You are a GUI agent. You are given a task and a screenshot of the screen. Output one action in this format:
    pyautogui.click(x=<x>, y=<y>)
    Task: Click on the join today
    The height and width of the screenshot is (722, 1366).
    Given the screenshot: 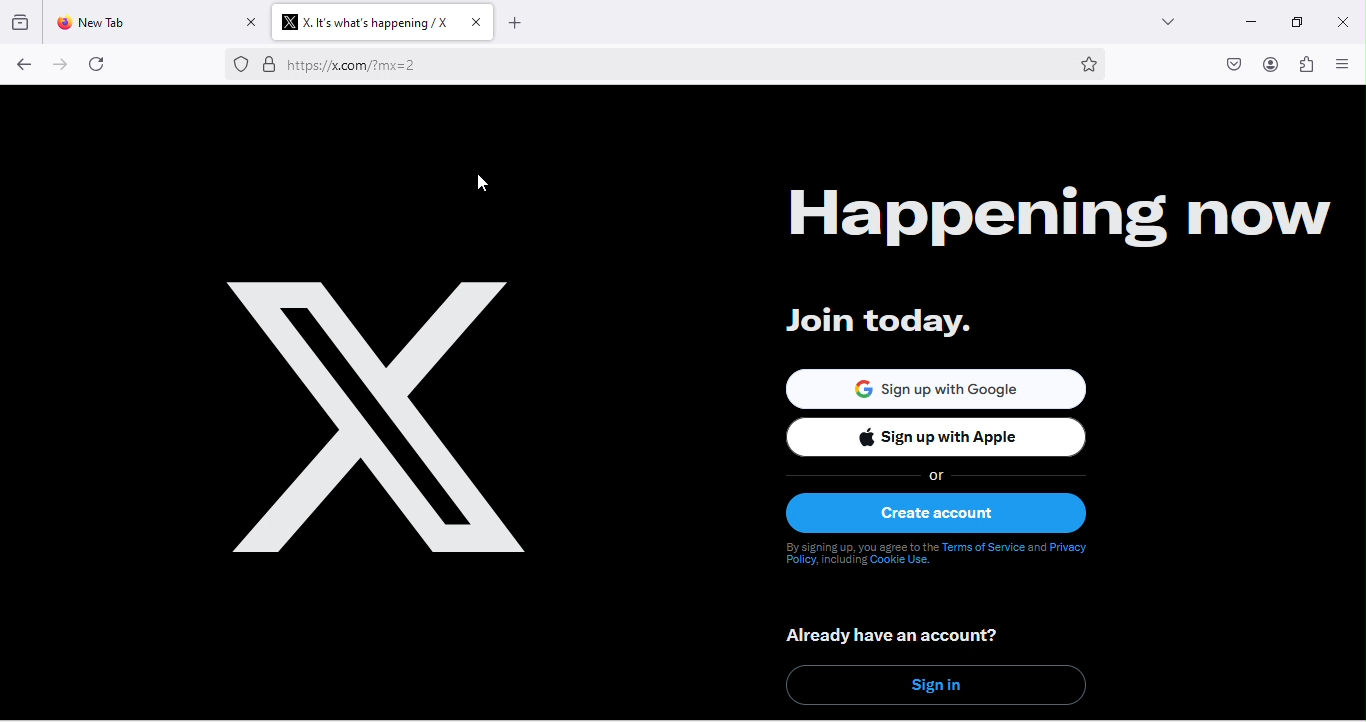 What is the action you would take?
    pyautogui.click(x=873, y=322)
    